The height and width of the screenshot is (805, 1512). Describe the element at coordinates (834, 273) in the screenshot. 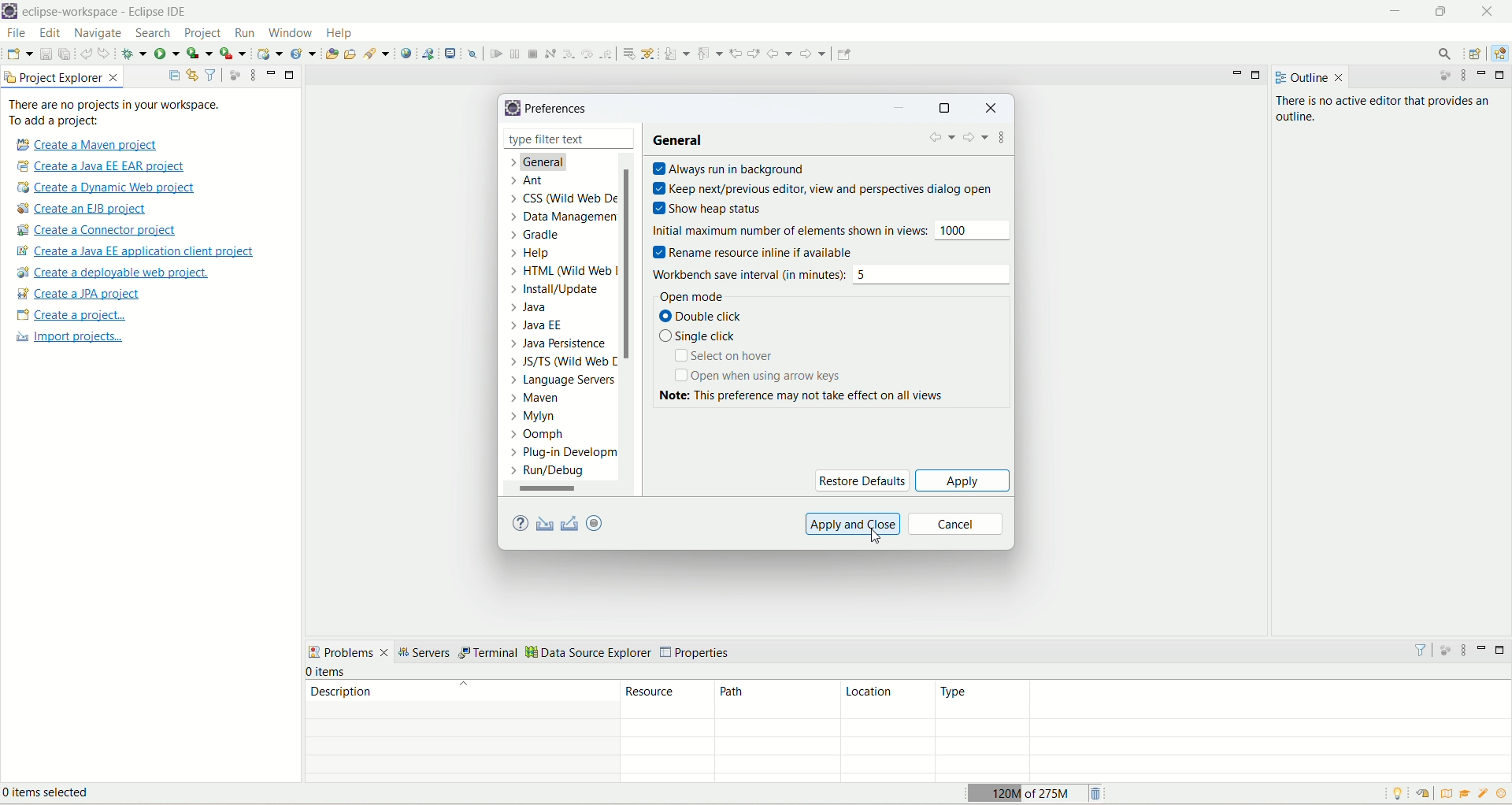

I see `workbench save interval (in minutes): 5` at that location.